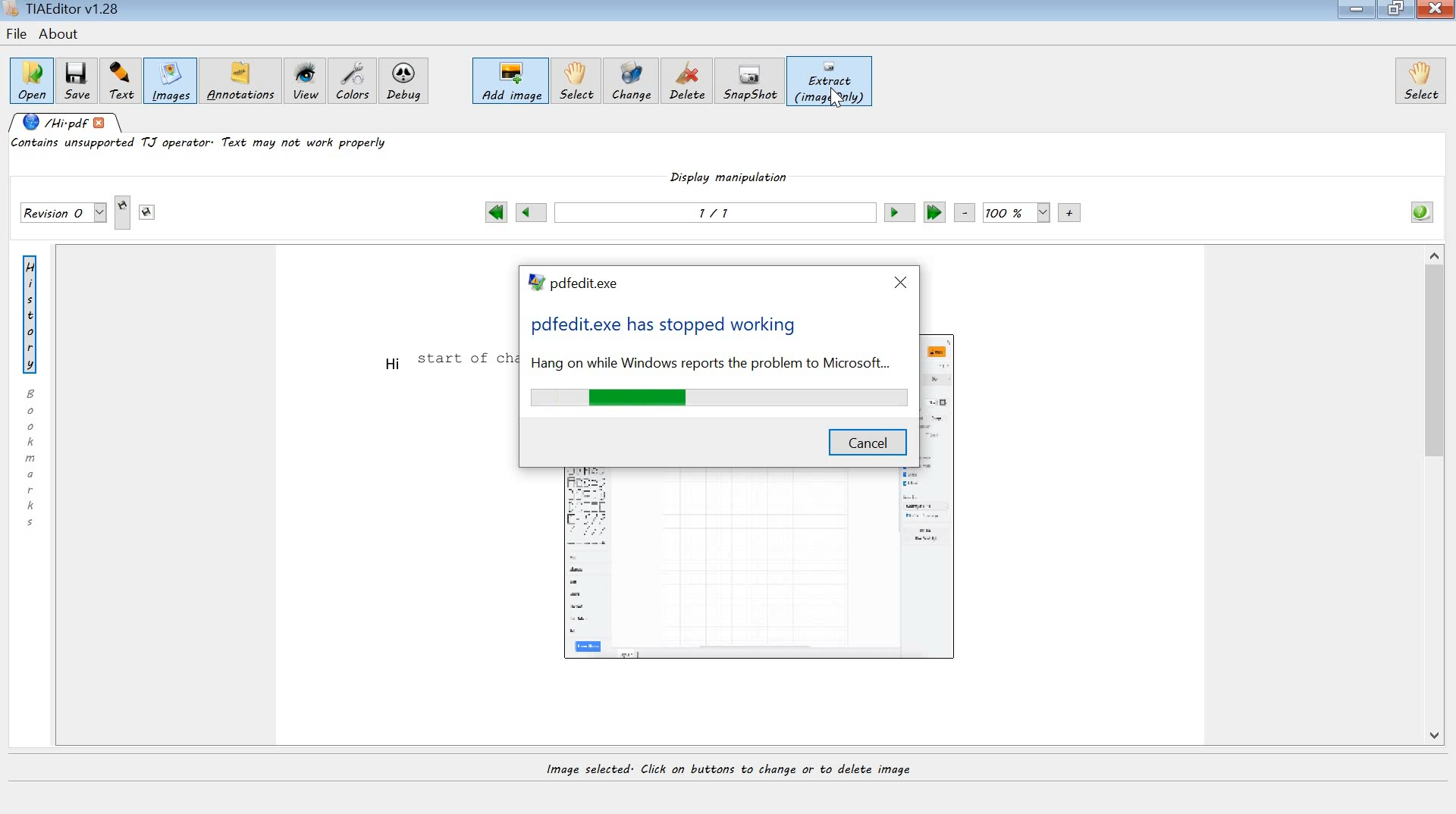  What do you see at coordinates (1018, 213) in the screenshot?
I see `zoom out or zoom in` at bounding box center [1018, 213].